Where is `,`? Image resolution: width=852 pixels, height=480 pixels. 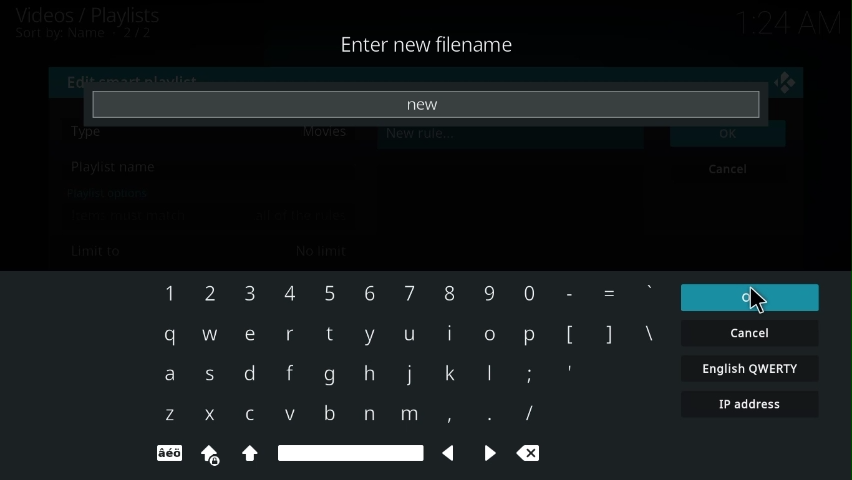 , is located at coordinates (447, 415).